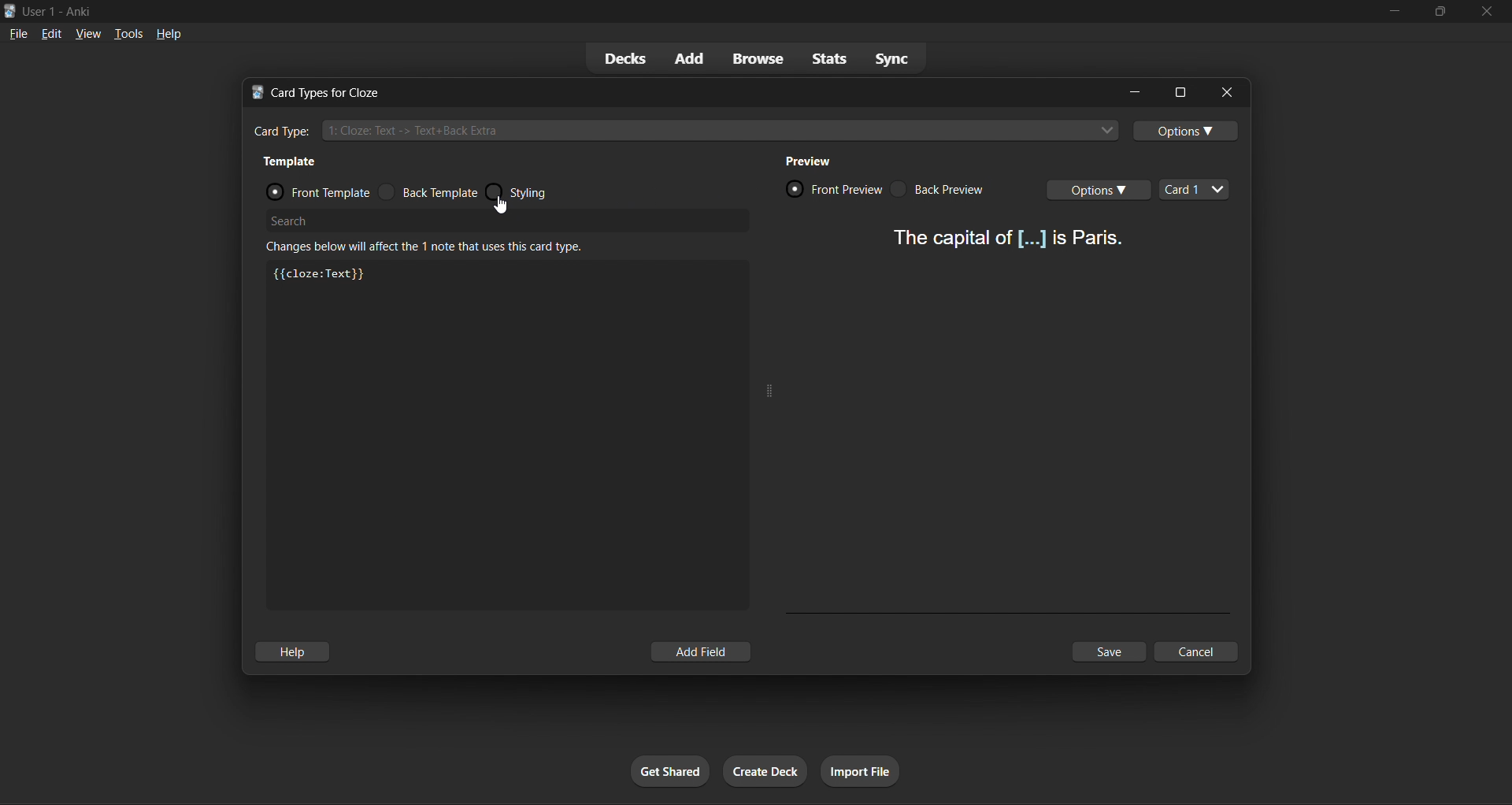  What do you see at coordinates (317, 191) in the screenshot?
I see `front template radio button` at bounding box center [317, 191].